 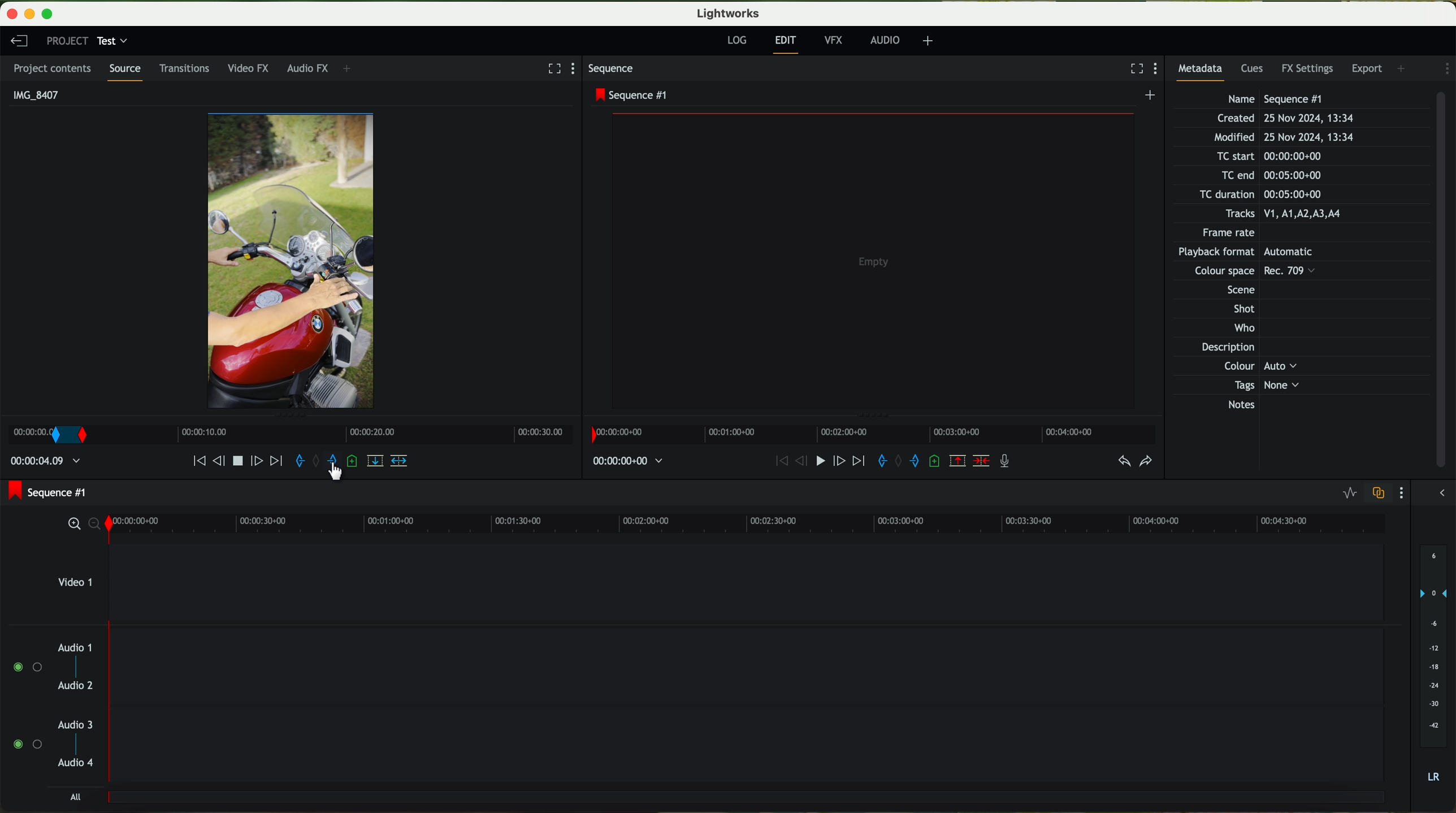 What do you see at coordinates (1282, 138) in the screenshot?
I see `Modified` at bounding box center [1282, 138].